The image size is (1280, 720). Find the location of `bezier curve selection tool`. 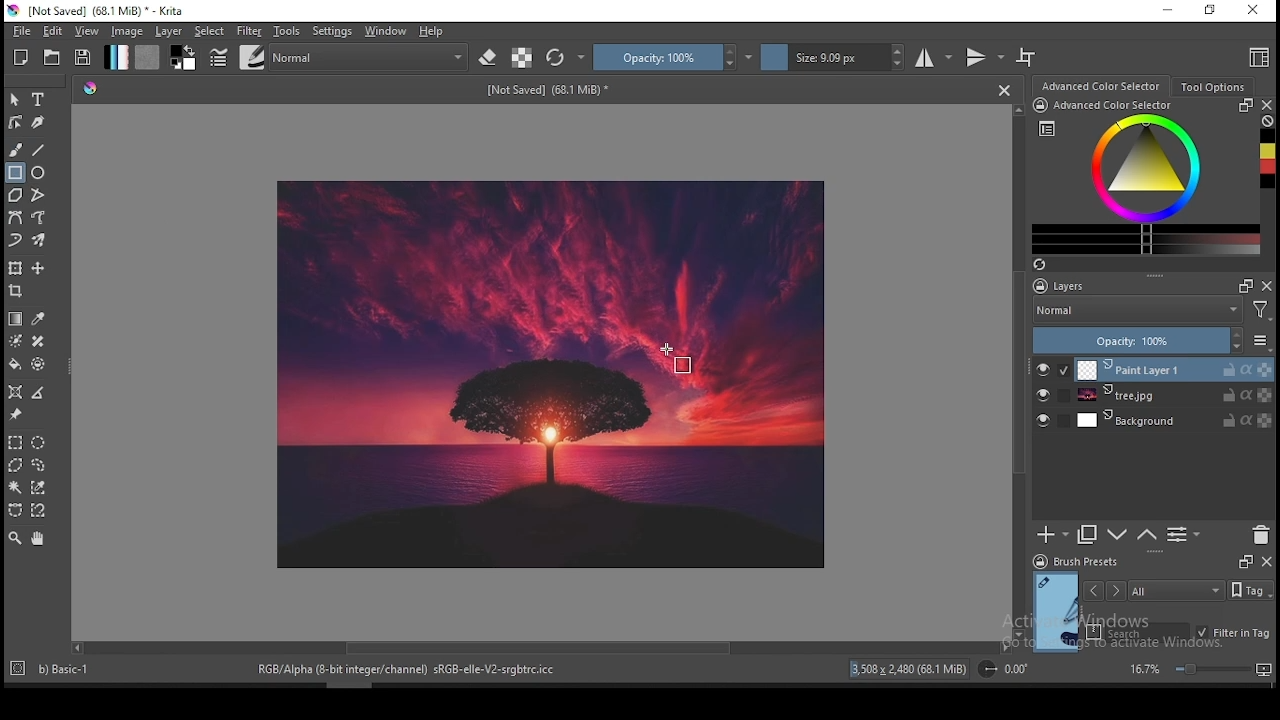

bezier curve selection tool is located at coordinates (13, 511).